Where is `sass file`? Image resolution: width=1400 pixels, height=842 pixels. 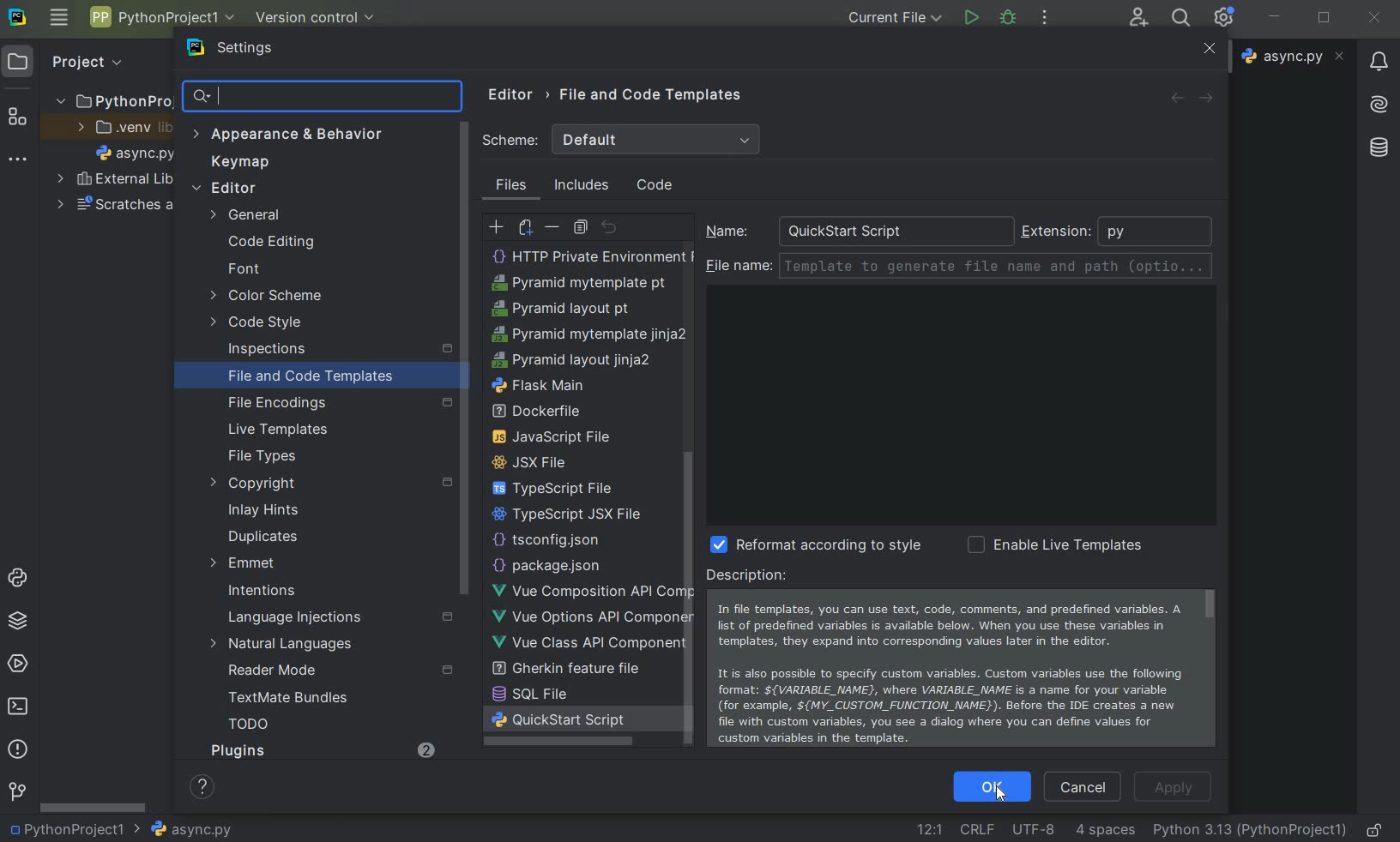
sass file is located at coordinates (536, 461).